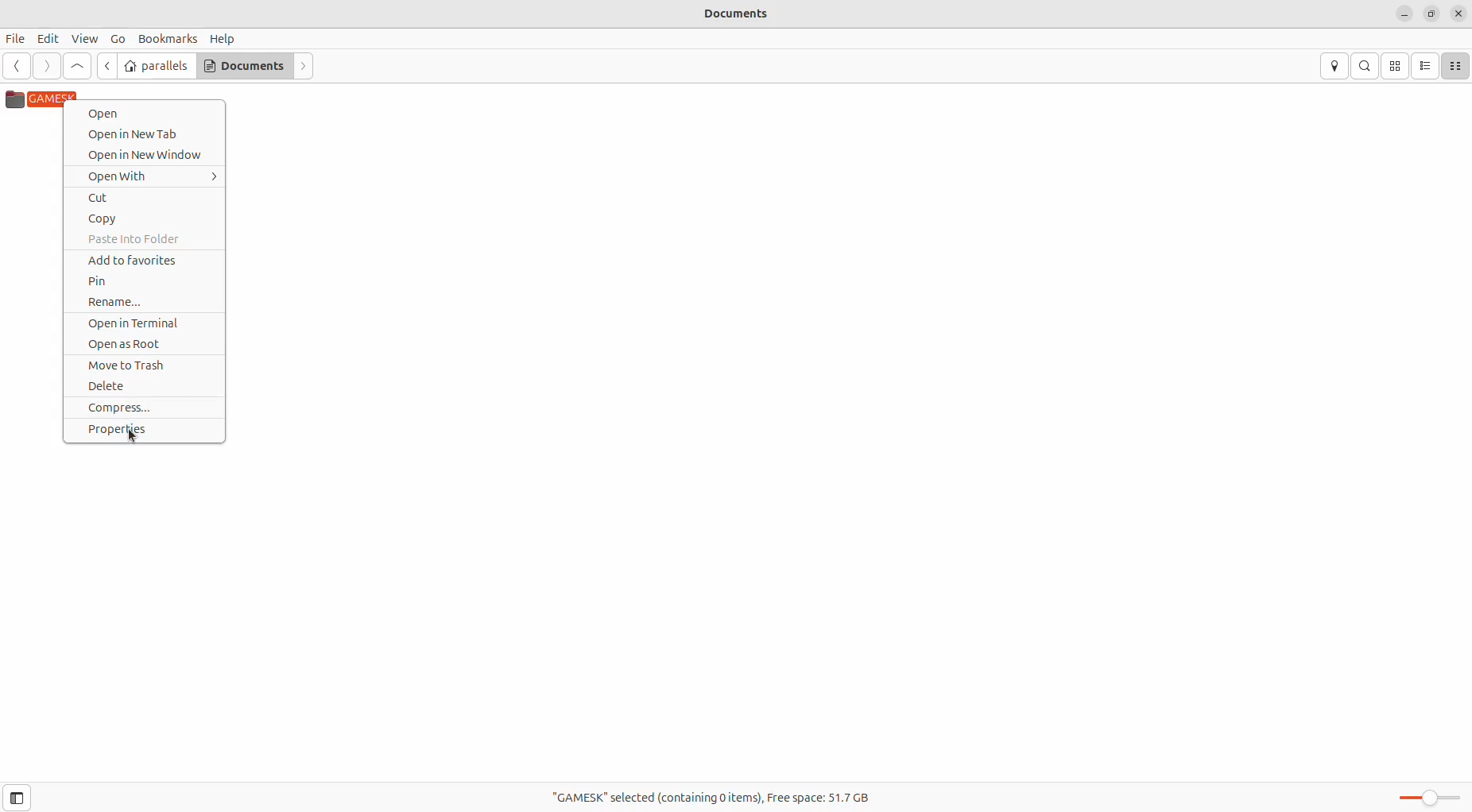 The image size is (1472, 812). Describe the element at coordinates (138, 439) in the screenshot. I see `cursor` at that location.